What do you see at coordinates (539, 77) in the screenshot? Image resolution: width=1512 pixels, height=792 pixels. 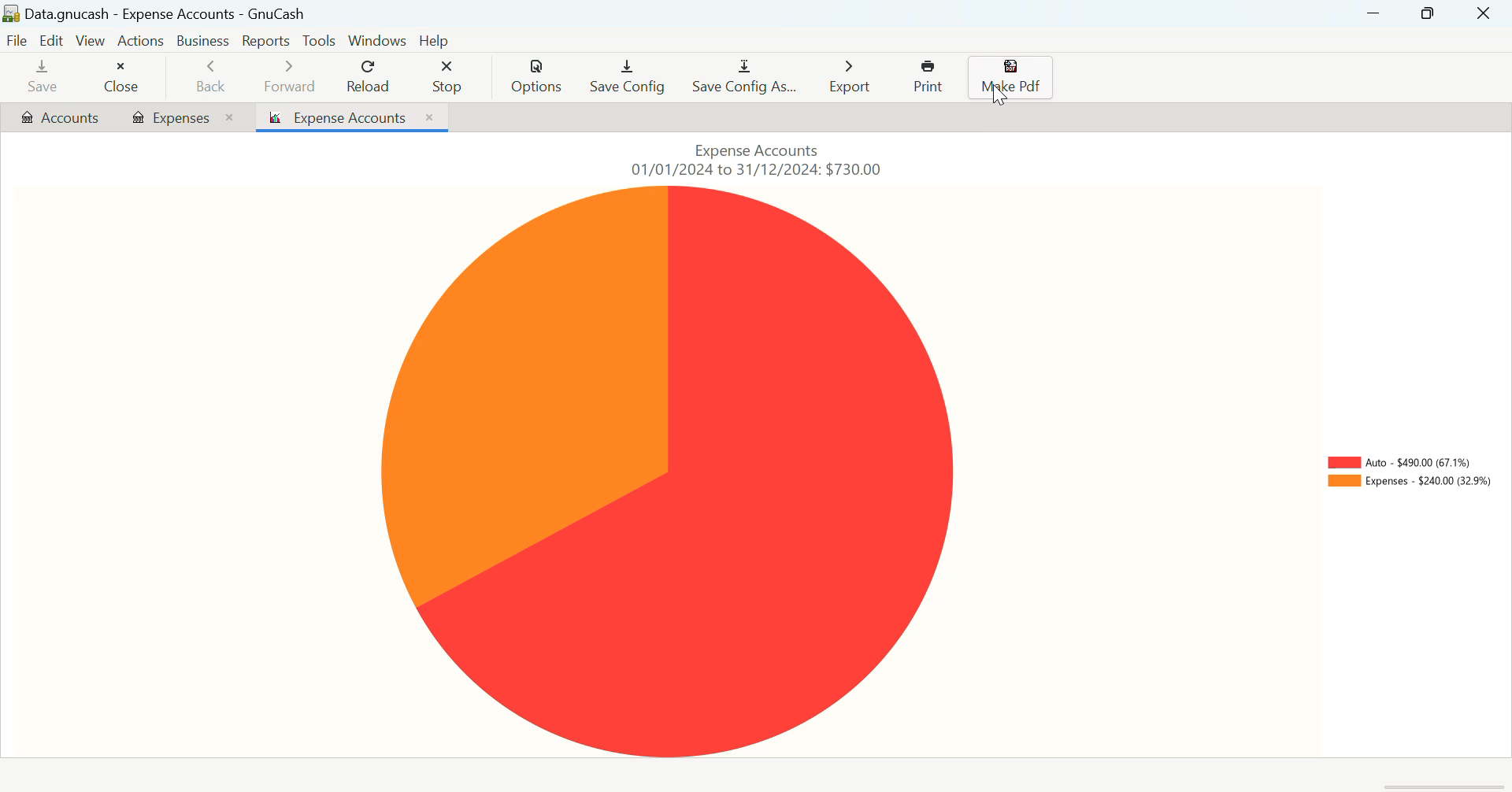 I see `Options` at bounding box center [539, 77].